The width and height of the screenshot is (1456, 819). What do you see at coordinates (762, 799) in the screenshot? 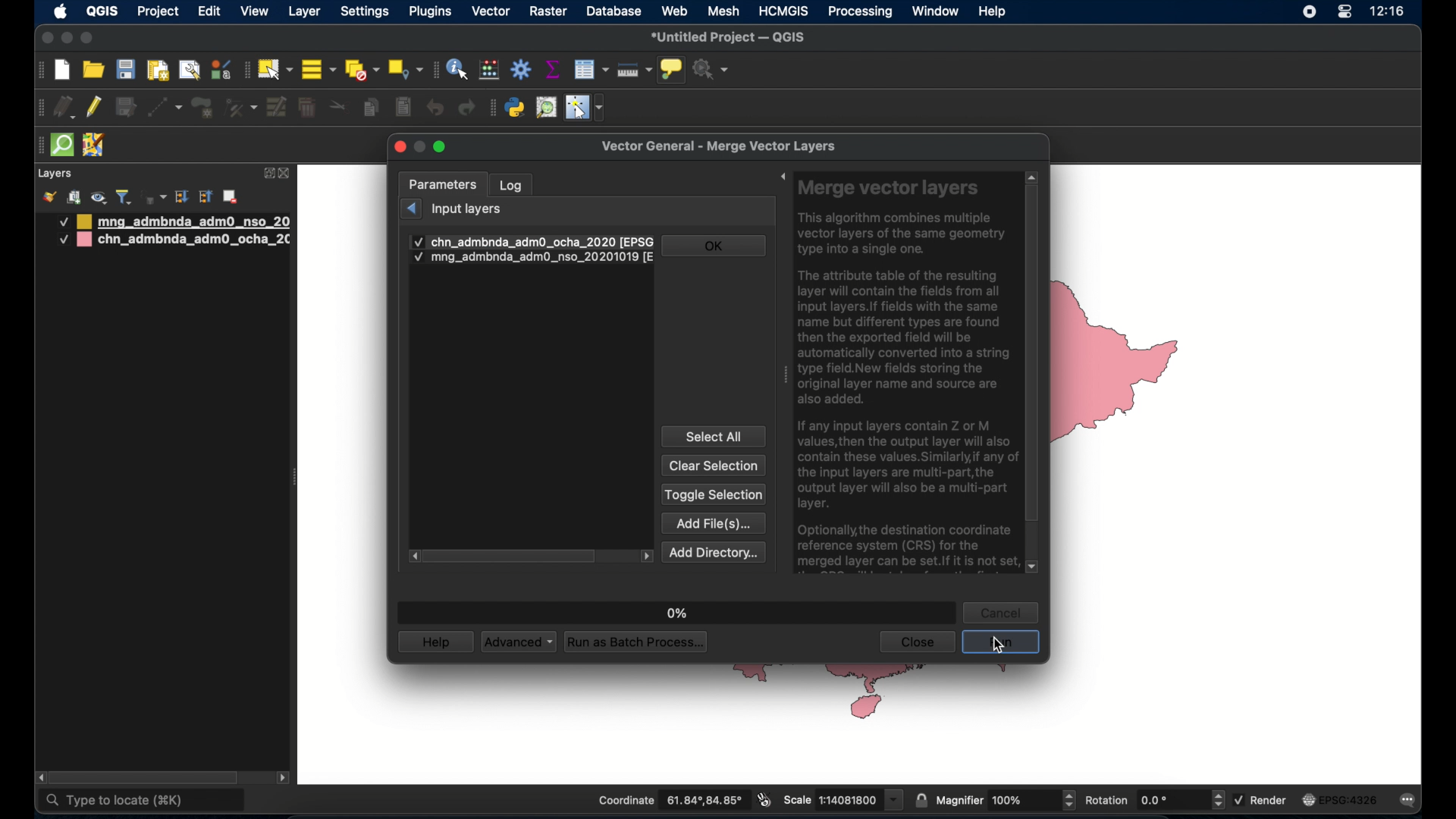
I see `toggle extents and mouse position display` at bounding box center [762, 799].